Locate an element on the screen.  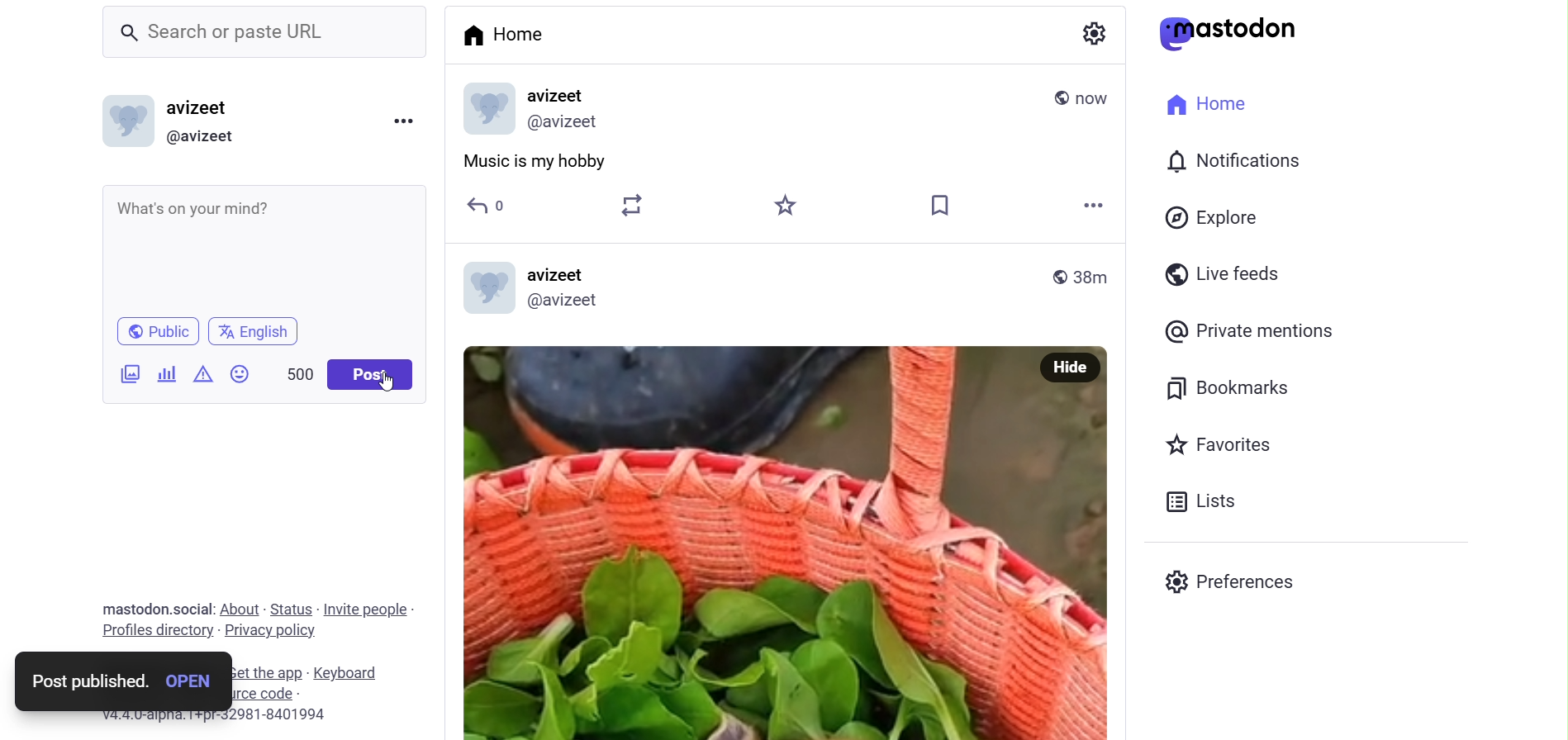
Music is my hobby is located at coordinates (544, 164).